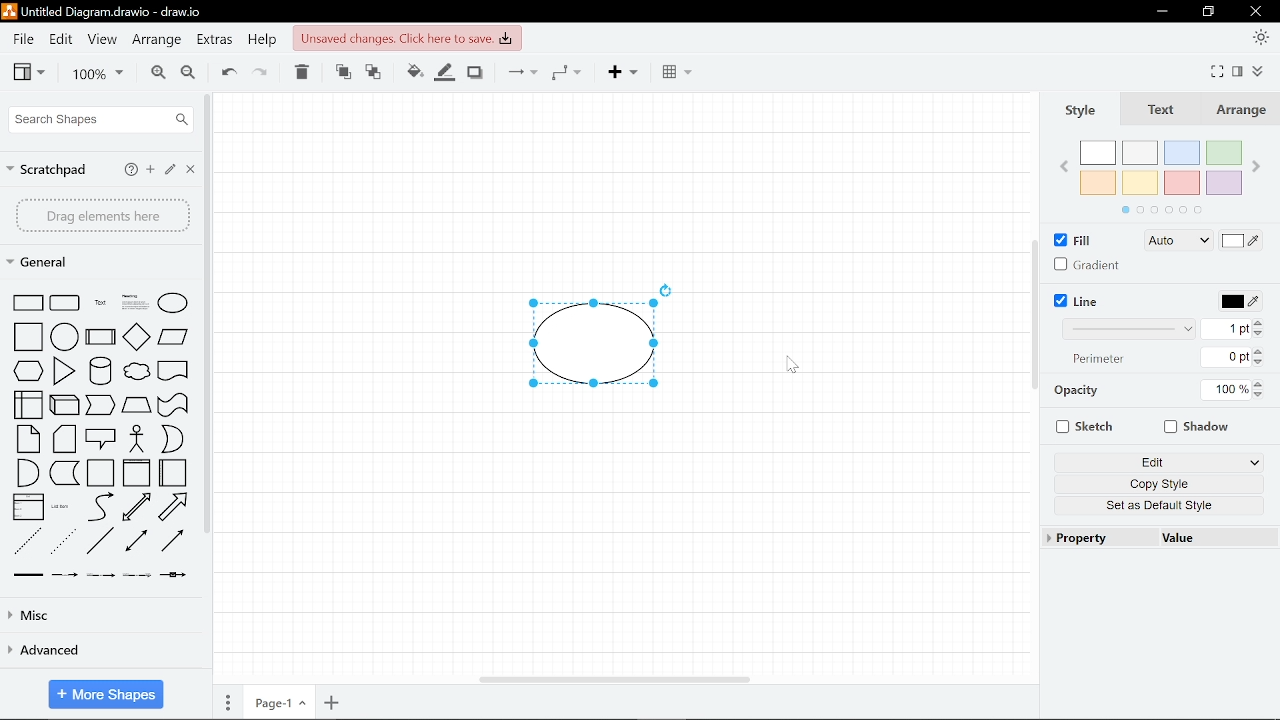  Describe the element at coordinates (1161, 211) in the screenshot. I see `Color palette navigation` at that location.